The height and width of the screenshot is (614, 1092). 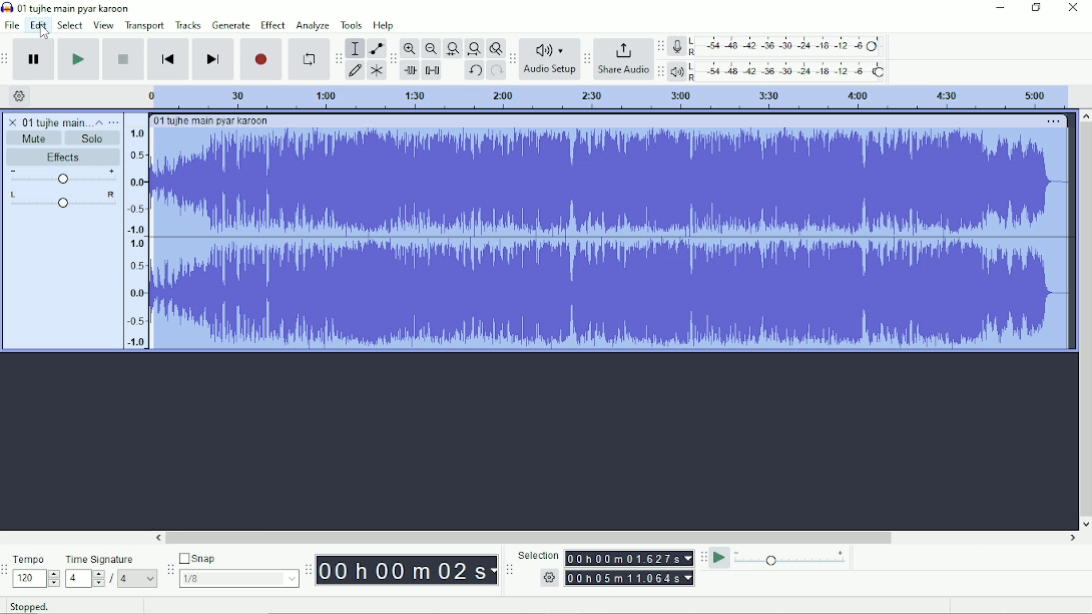 What do you see at coordinates (430, 49) in the screenshot?
I see `Zoom Out` at bounding box center [430, 49].